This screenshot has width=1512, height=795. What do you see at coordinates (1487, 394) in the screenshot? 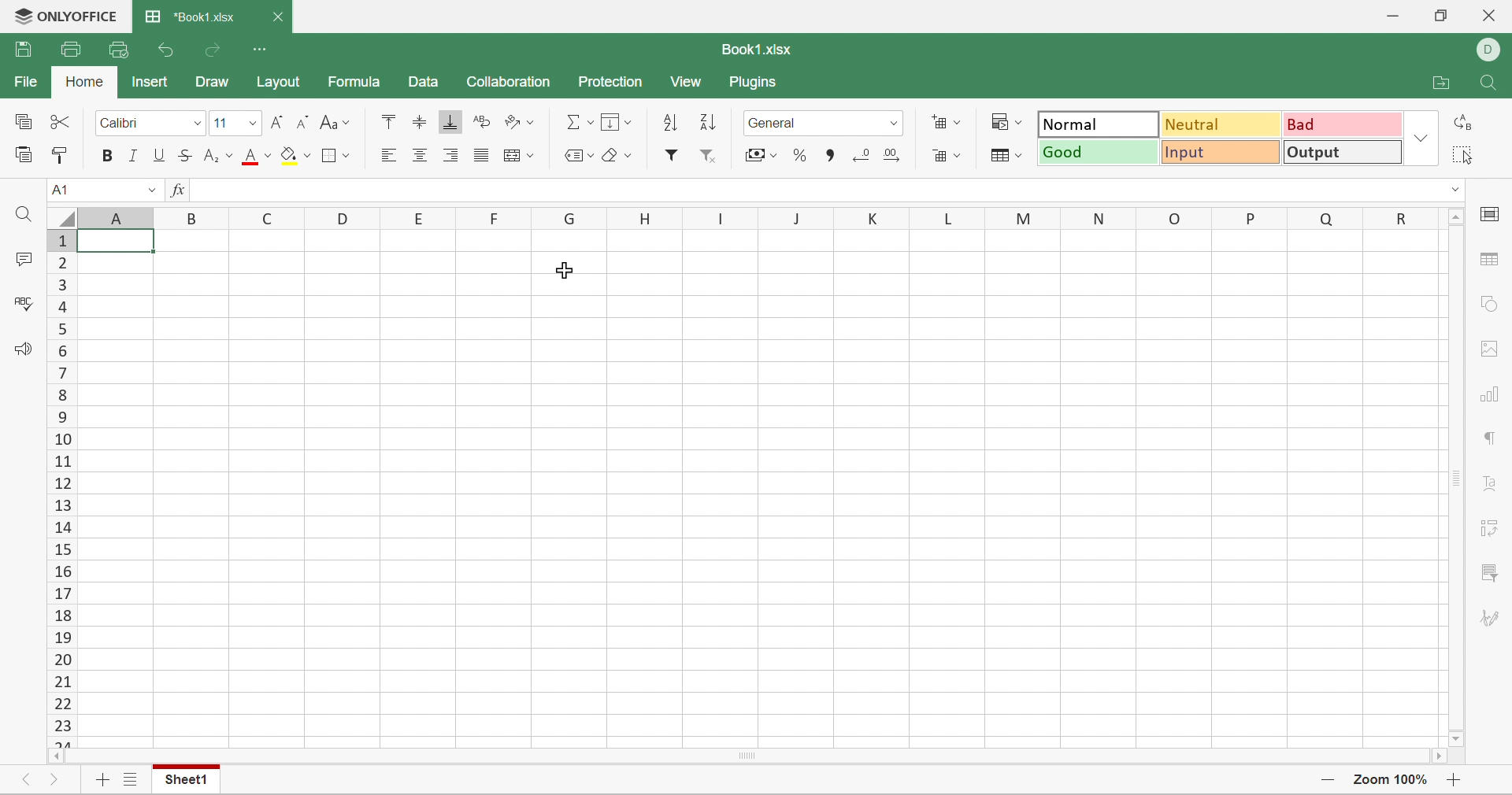
I see `Chart settings` at bounding box center [1487, 394].